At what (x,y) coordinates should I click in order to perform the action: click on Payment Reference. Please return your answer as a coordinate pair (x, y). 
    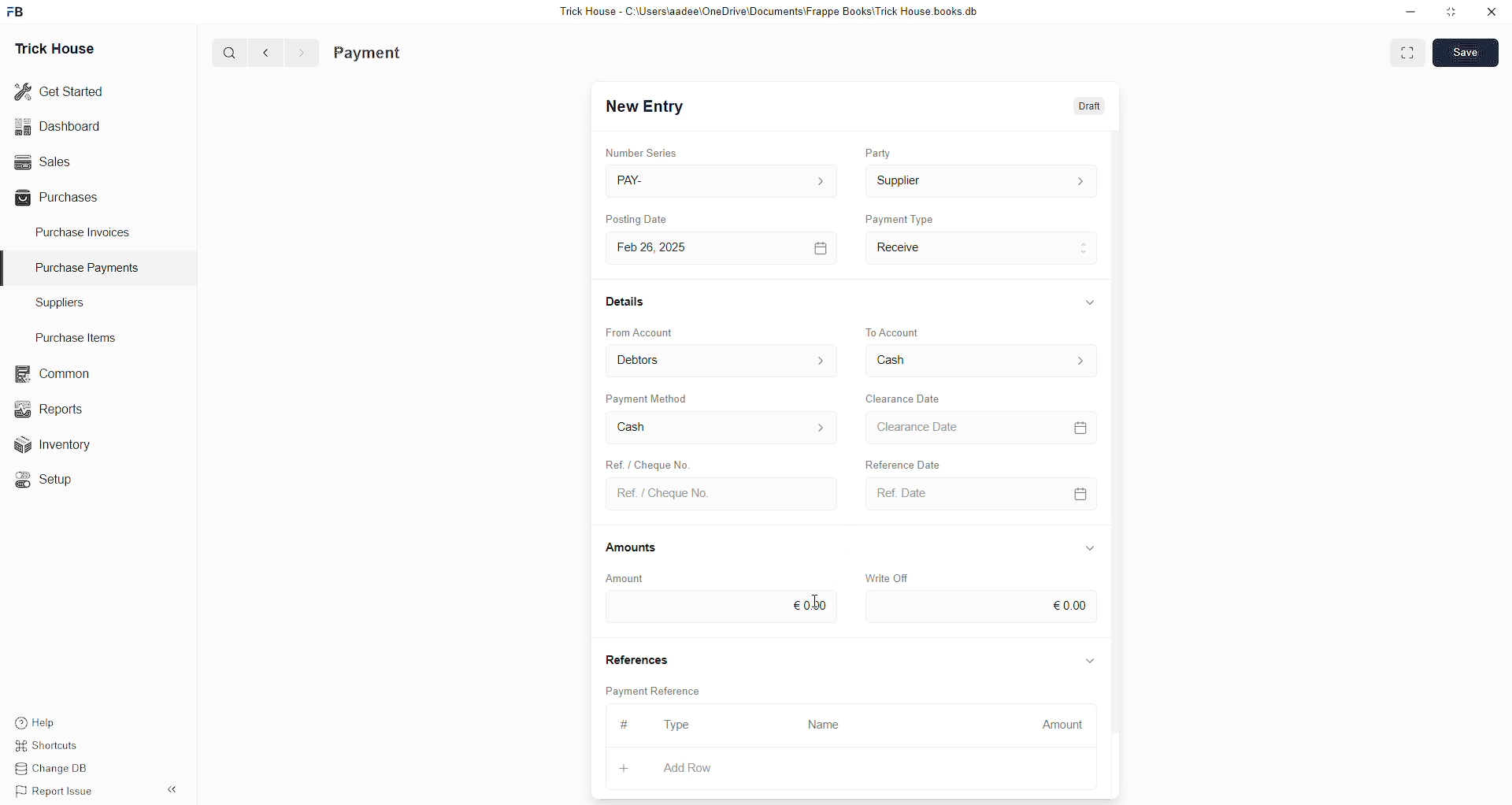
    Looking at the image, I should click on (653, 690).